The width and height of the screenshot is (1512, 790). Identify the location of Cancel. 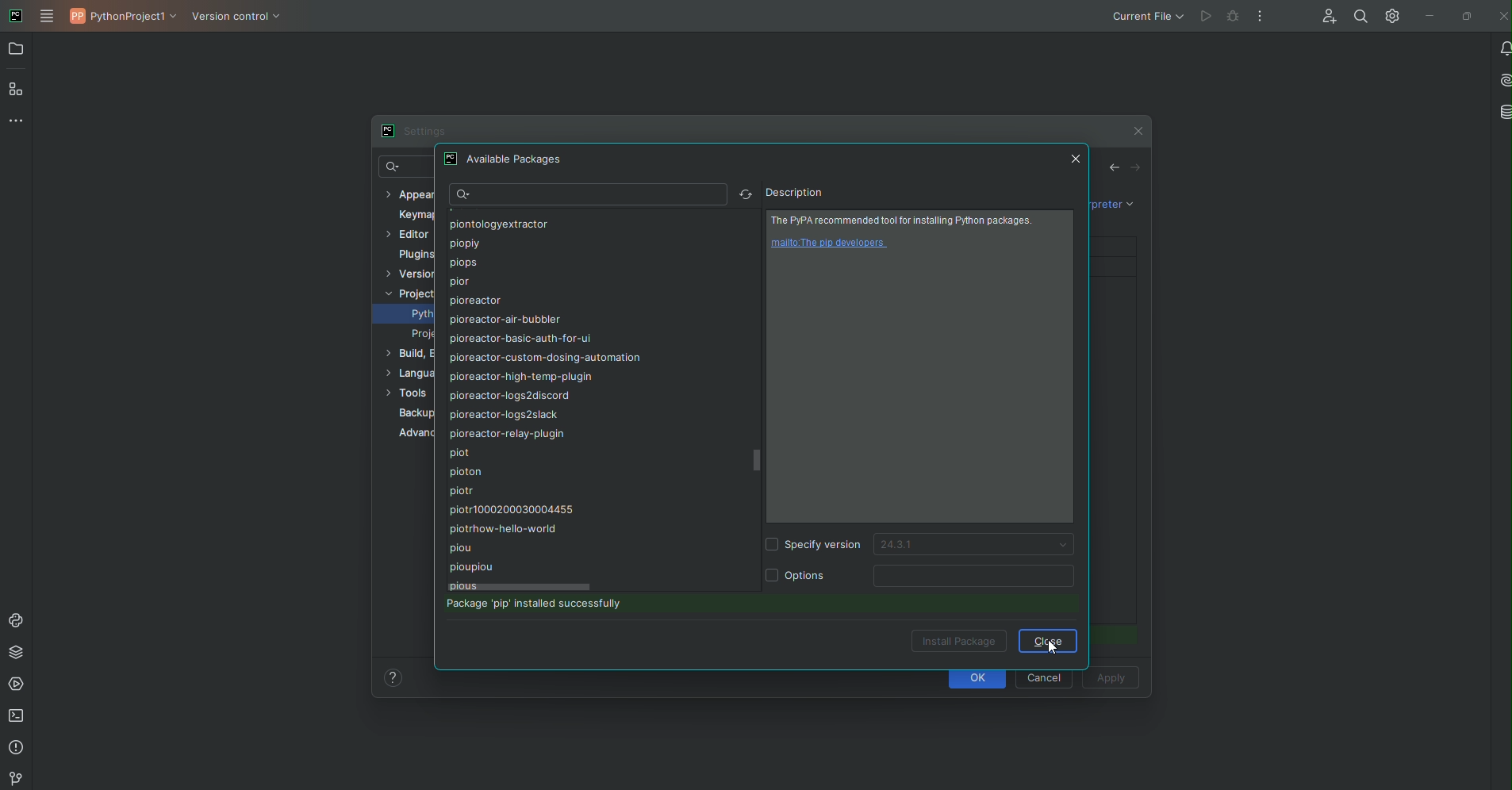
(1044, 676).